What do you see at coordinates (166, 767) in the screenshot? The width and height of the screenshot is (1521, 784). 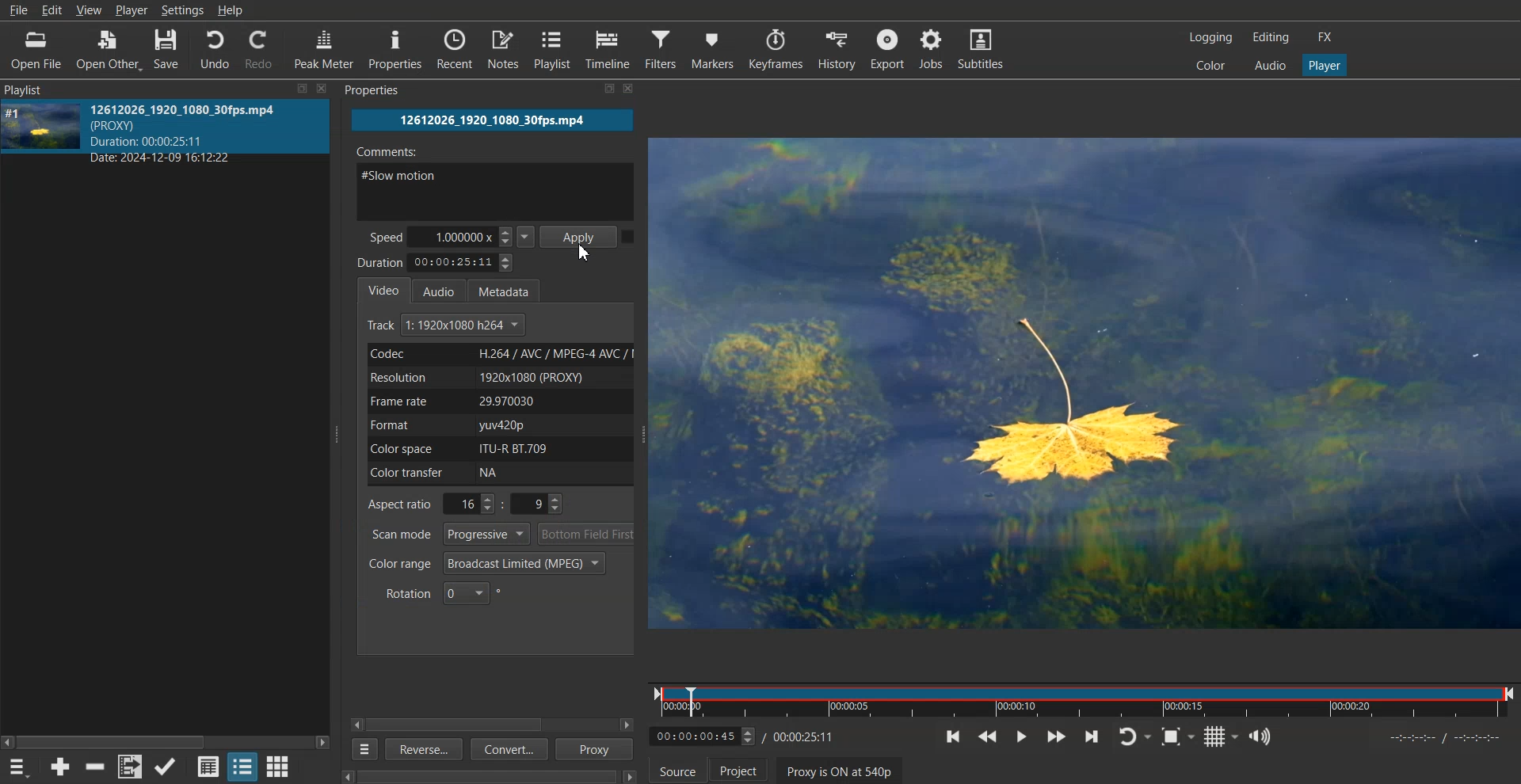 I see `Update` at bounding box center [166, 767].